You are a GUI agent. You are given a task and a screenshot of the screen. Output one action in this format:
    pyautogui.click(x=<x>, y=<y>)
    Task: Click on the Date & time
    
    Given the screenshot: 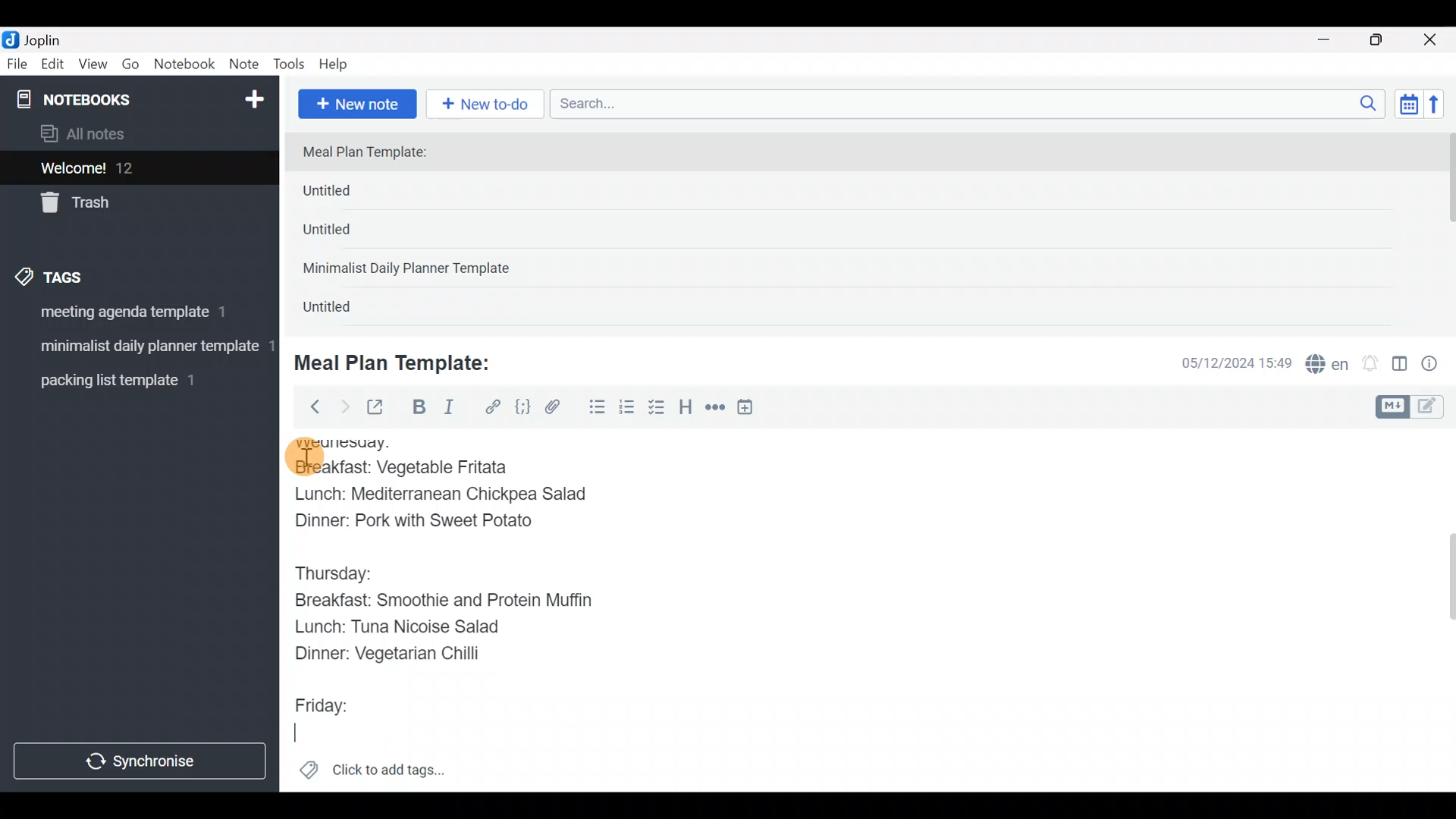 What is the action you would take?
    pyautogui.click(x=1225, y=362)
    